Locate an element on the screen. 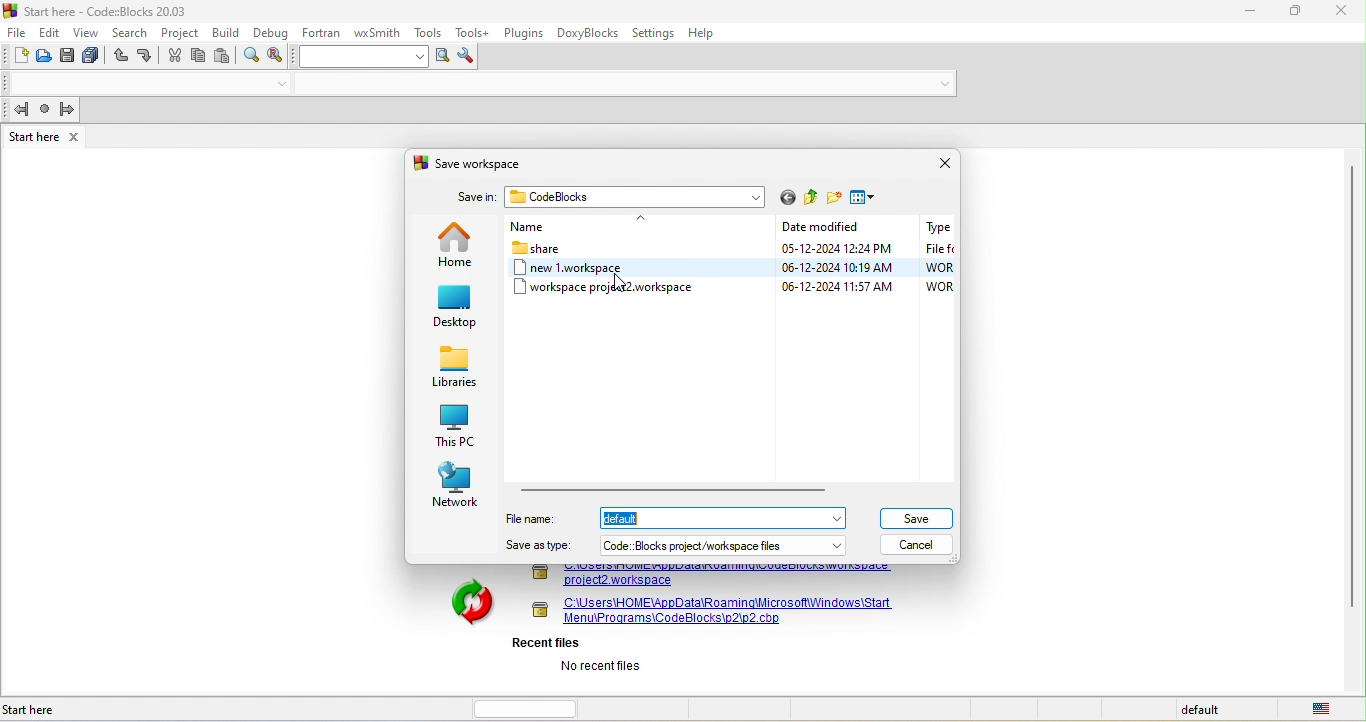 This screenshot has height=722, width=1366. share 05-12-2024 12:24 PM File is located at coordinates (733, 248).